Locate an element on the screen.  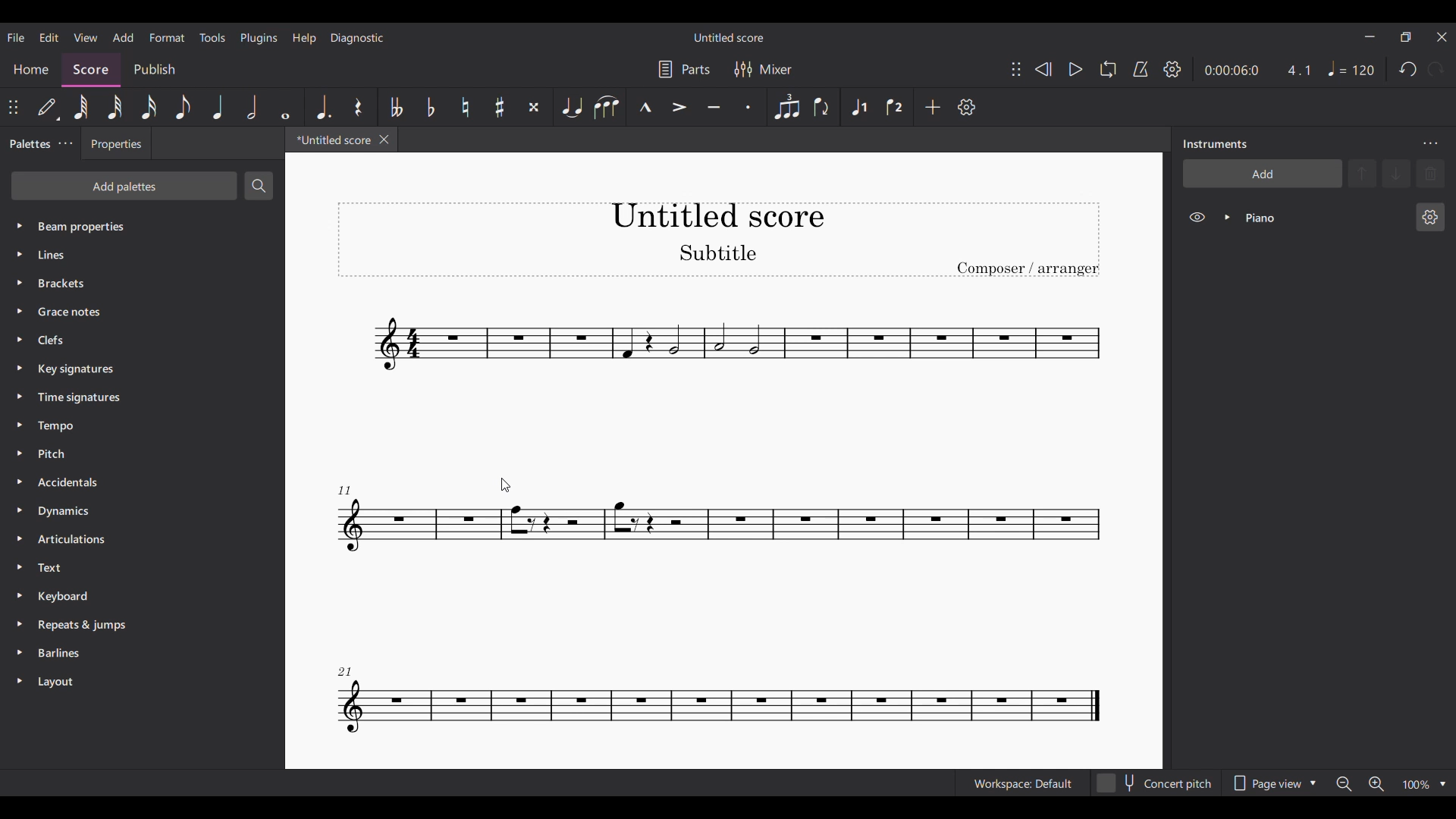
Current duration and ratio is located at coordinates (1257, 71).